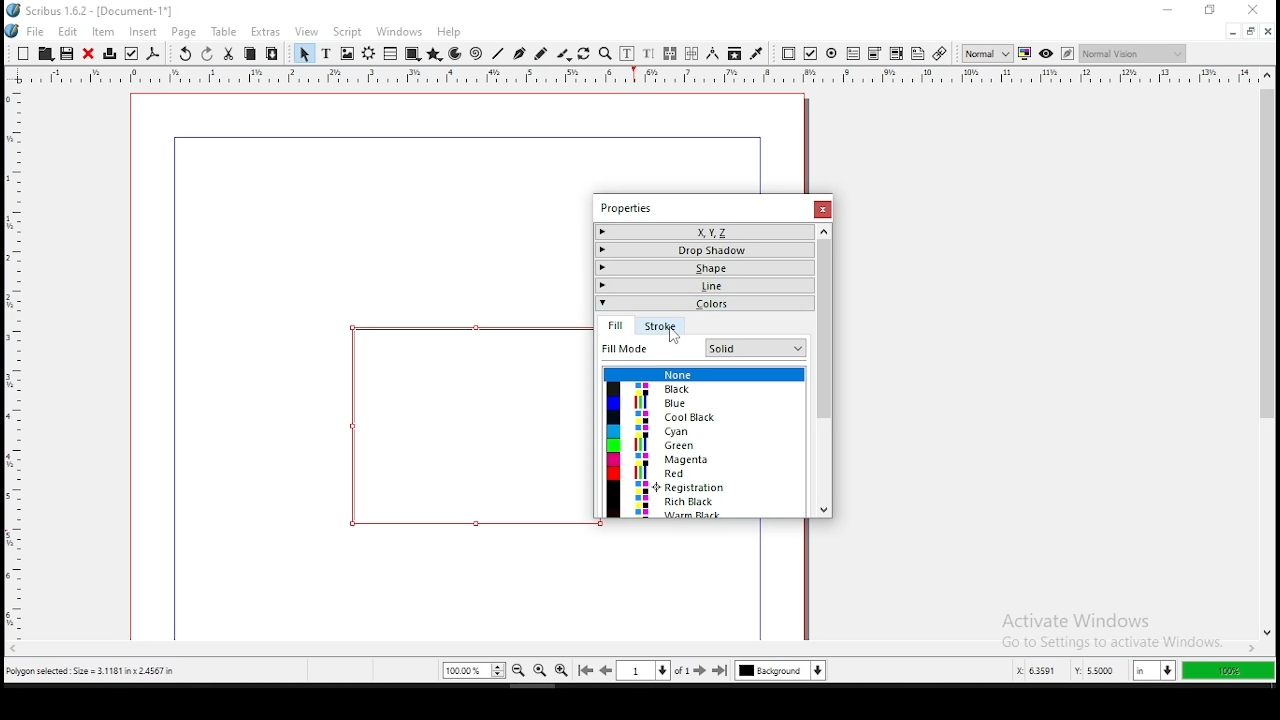 Image resolution: width=1280 pixels, height=720 pixels. What do you see at coordinates (184, 54) in the screenshot?
I see `undo` at bounding box center [184, 54].